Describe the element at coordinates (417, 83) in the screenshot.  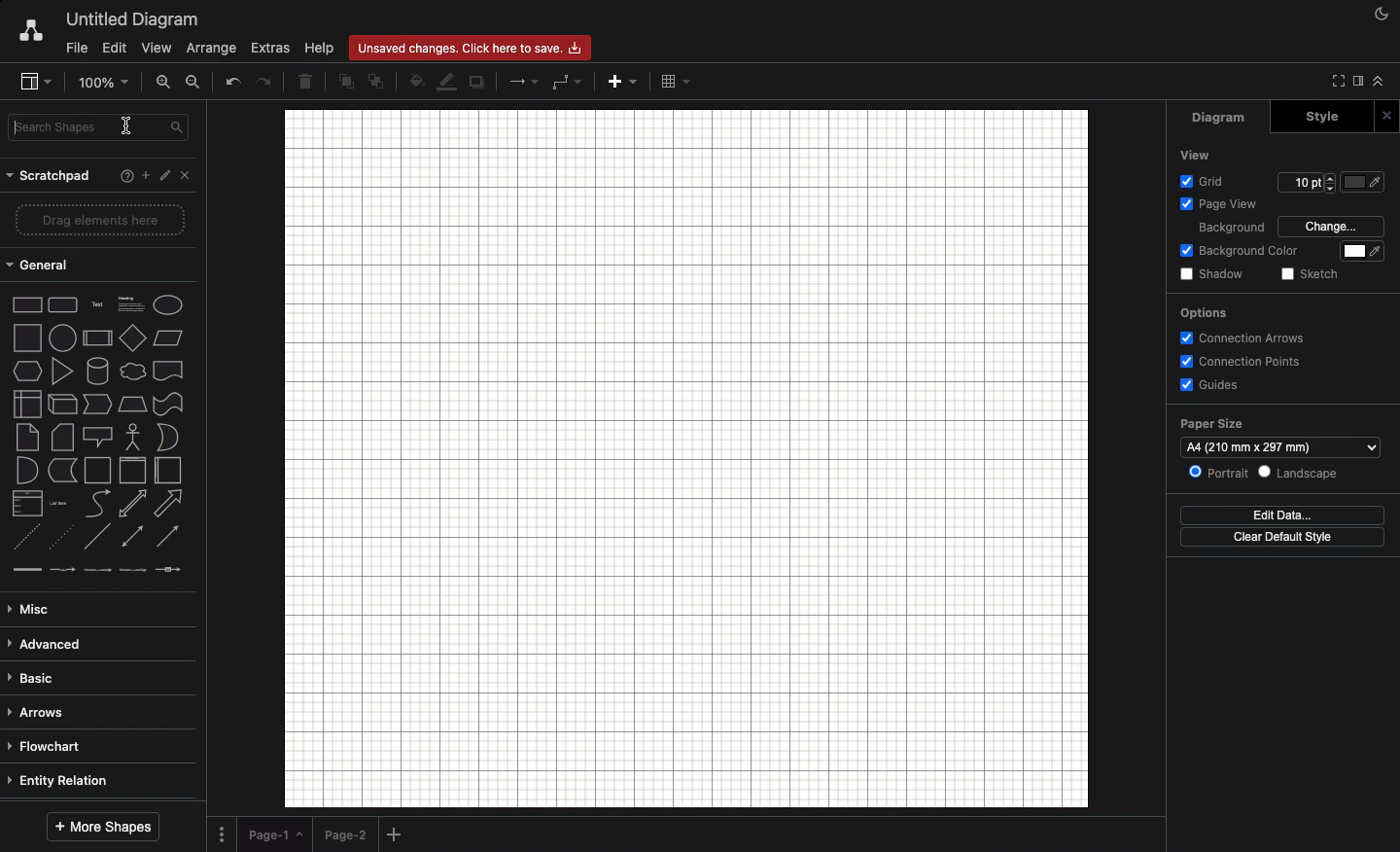
I see `Fill color` at that location.